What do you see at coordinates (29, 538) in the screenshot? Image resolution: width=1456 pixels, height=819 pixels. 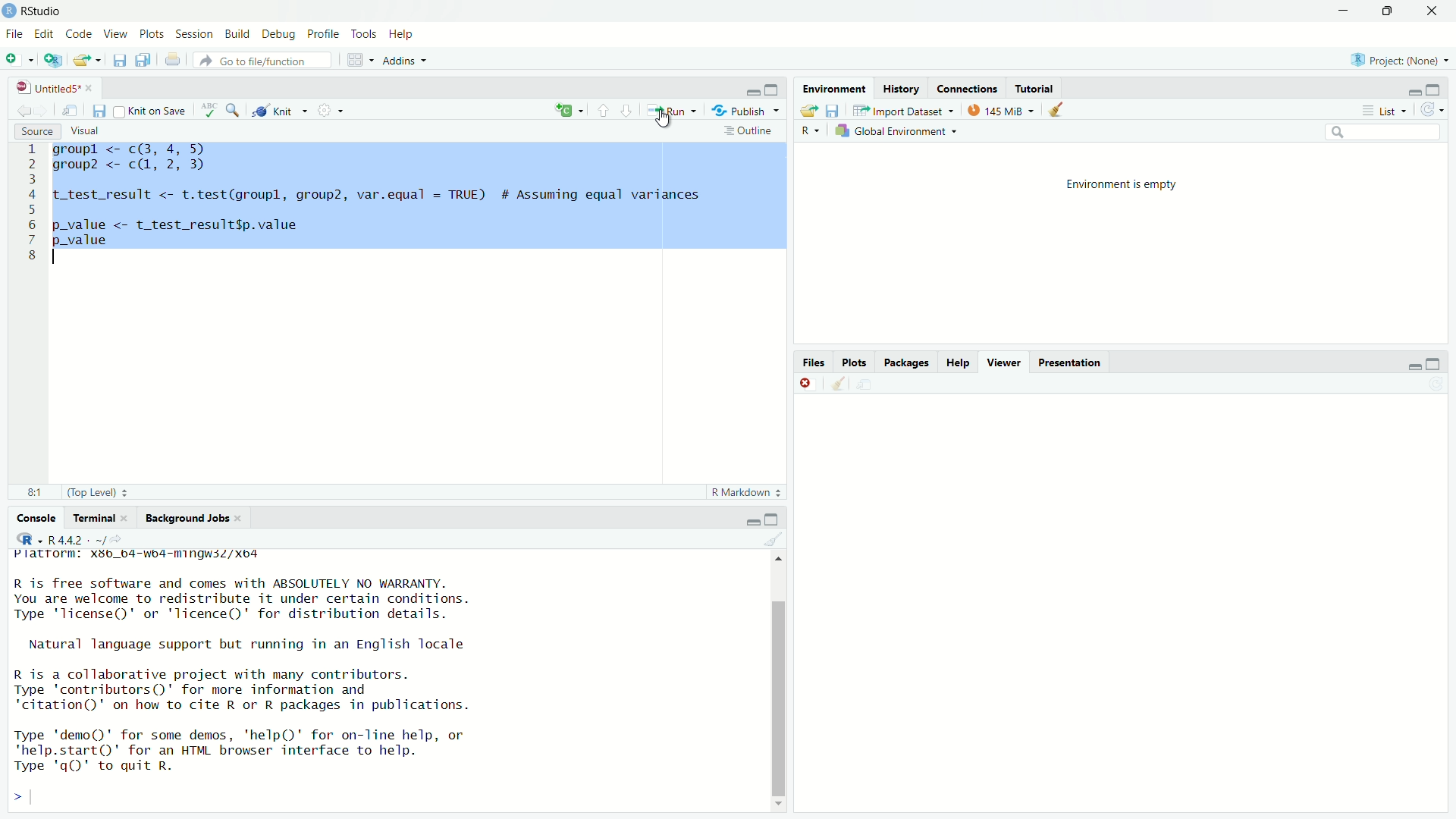 I see `RStudio logo` at bounding box center [29, 538].